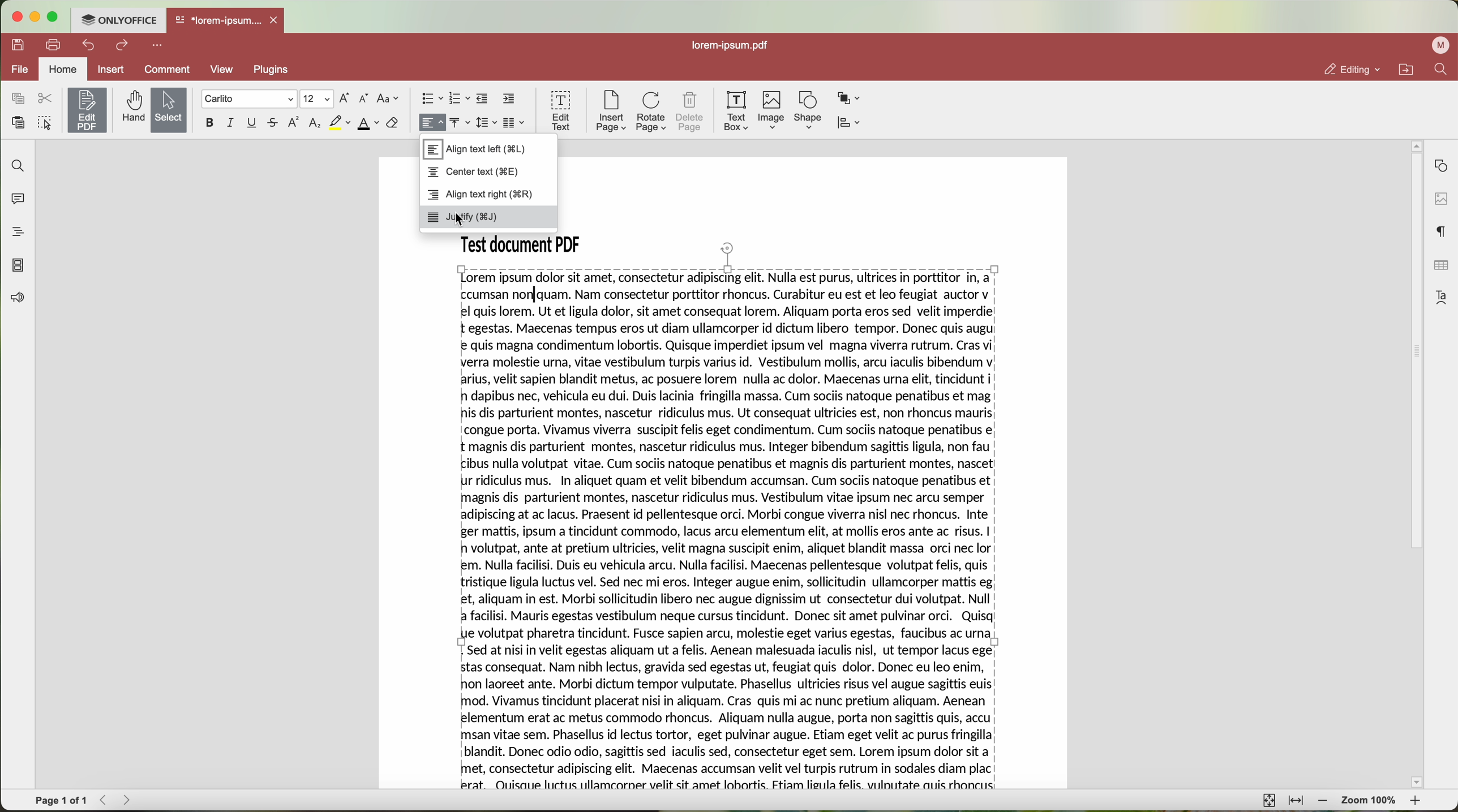  What do you see at coordinates (1440, 298) in the screenshot?
I see `text art settings` at bounding box center [1440, 298].